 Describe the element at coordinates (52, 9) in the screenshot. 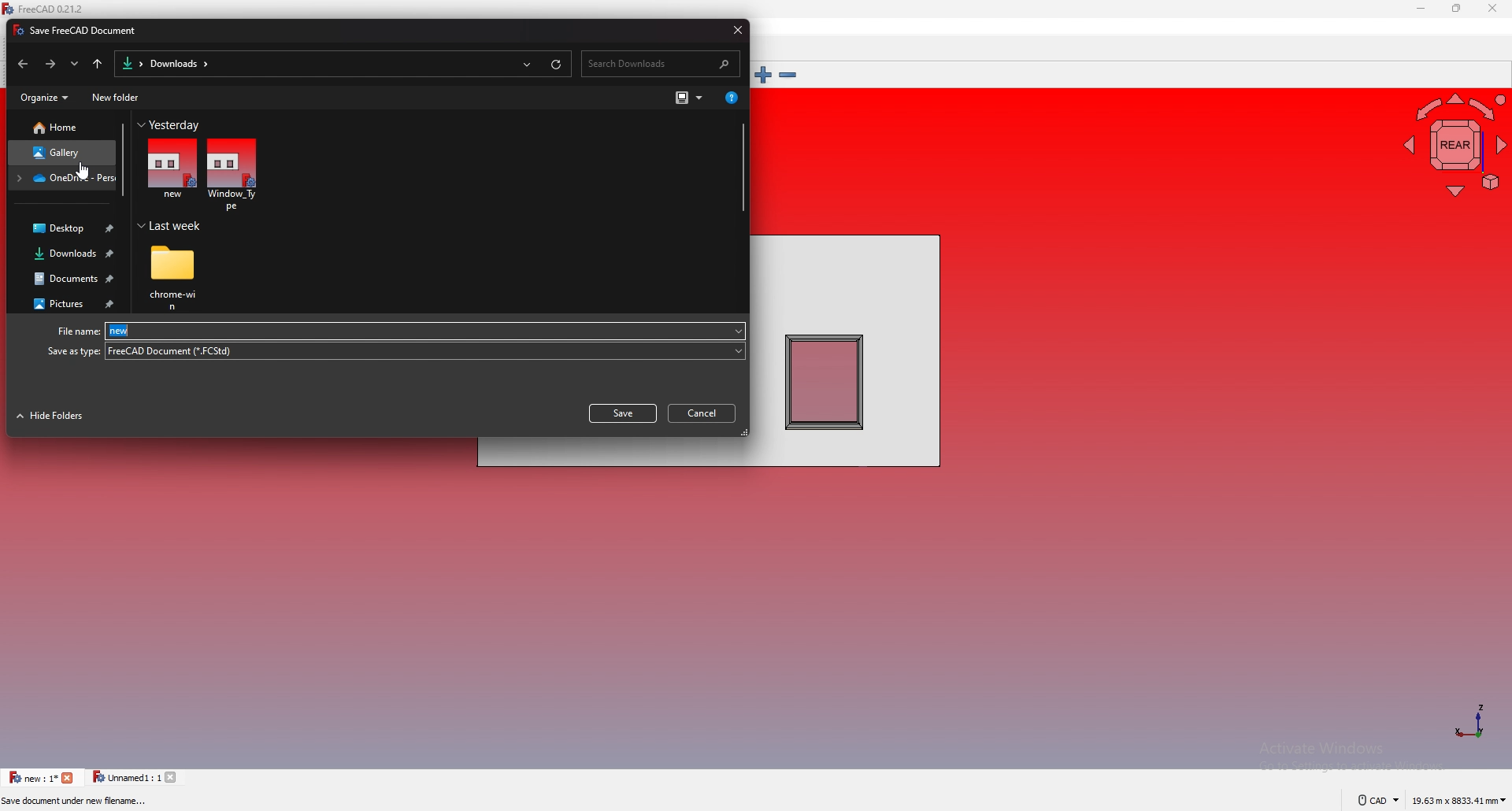

I see `FreeCAD 0.21.2` at that location.